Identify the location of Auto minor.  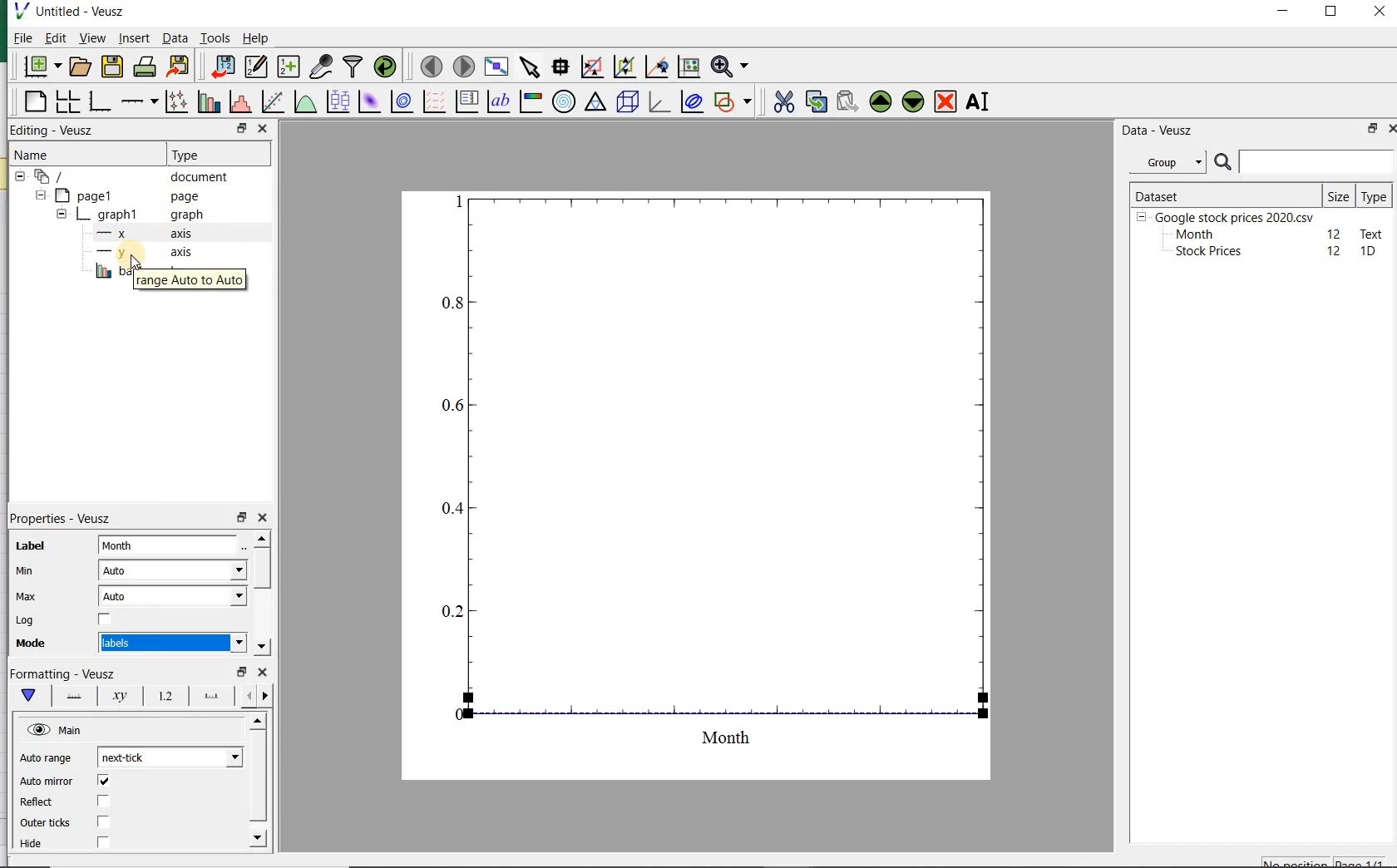
(47, 782).